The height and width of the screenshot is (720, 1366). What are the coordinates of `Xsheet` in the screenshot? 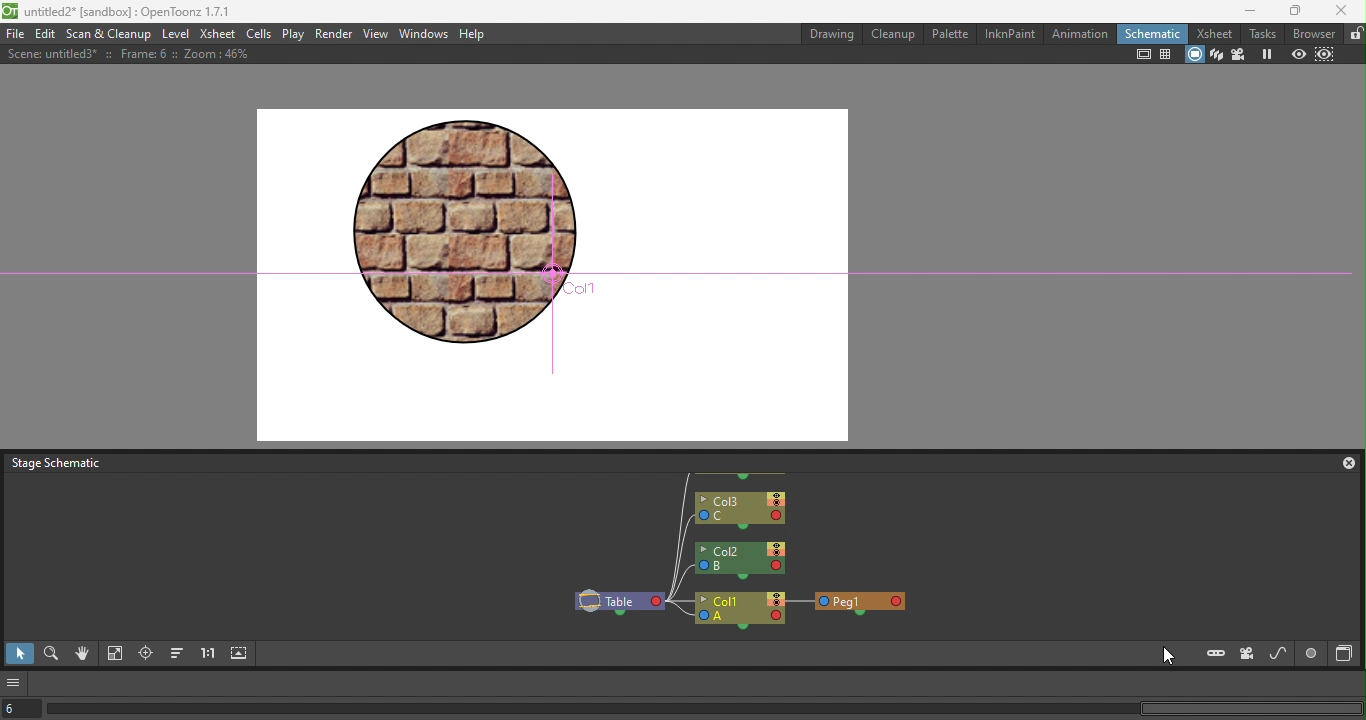 It's located at (217, 34).